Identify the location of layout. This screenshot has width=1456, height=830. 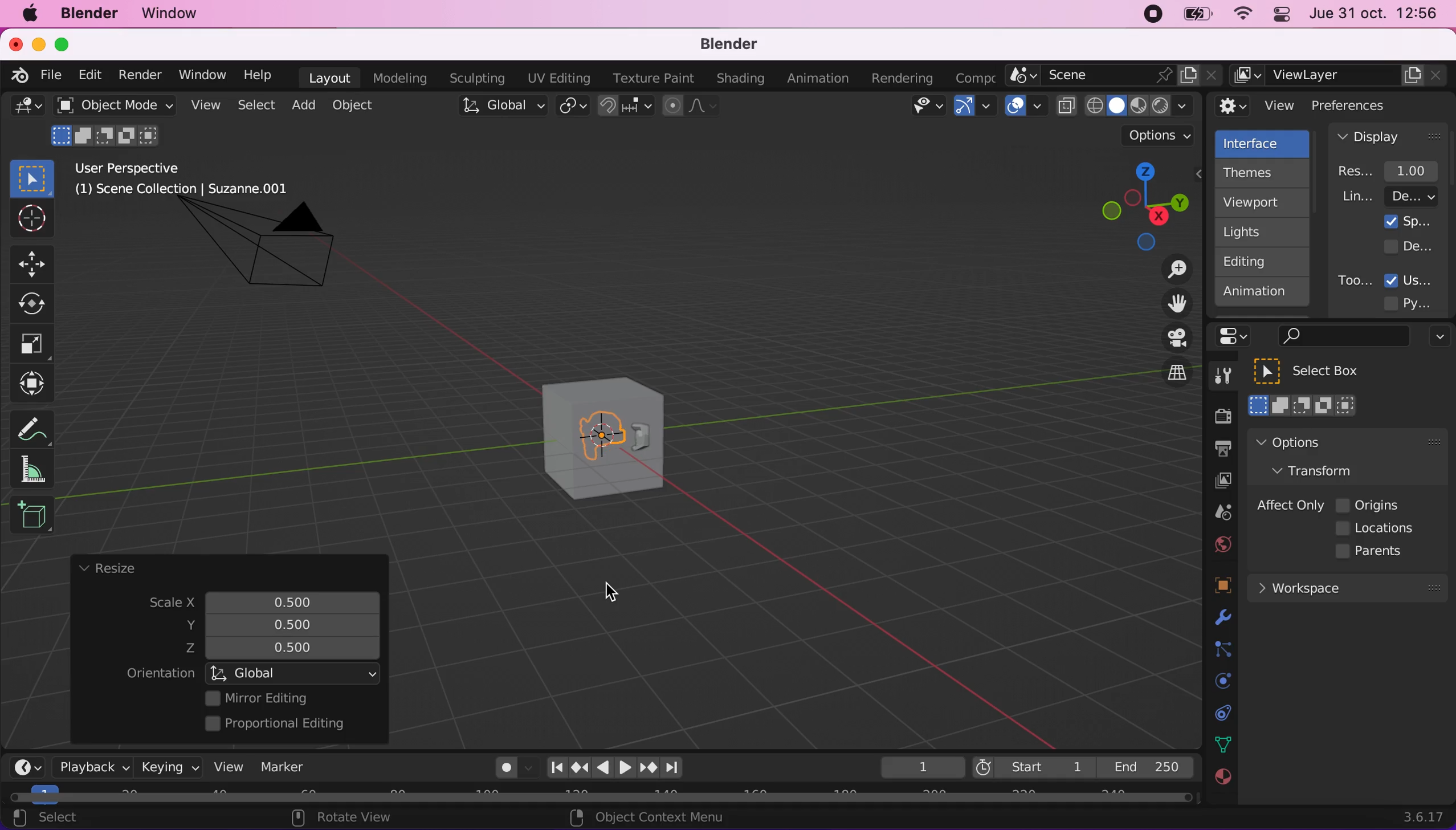
(329, 78).